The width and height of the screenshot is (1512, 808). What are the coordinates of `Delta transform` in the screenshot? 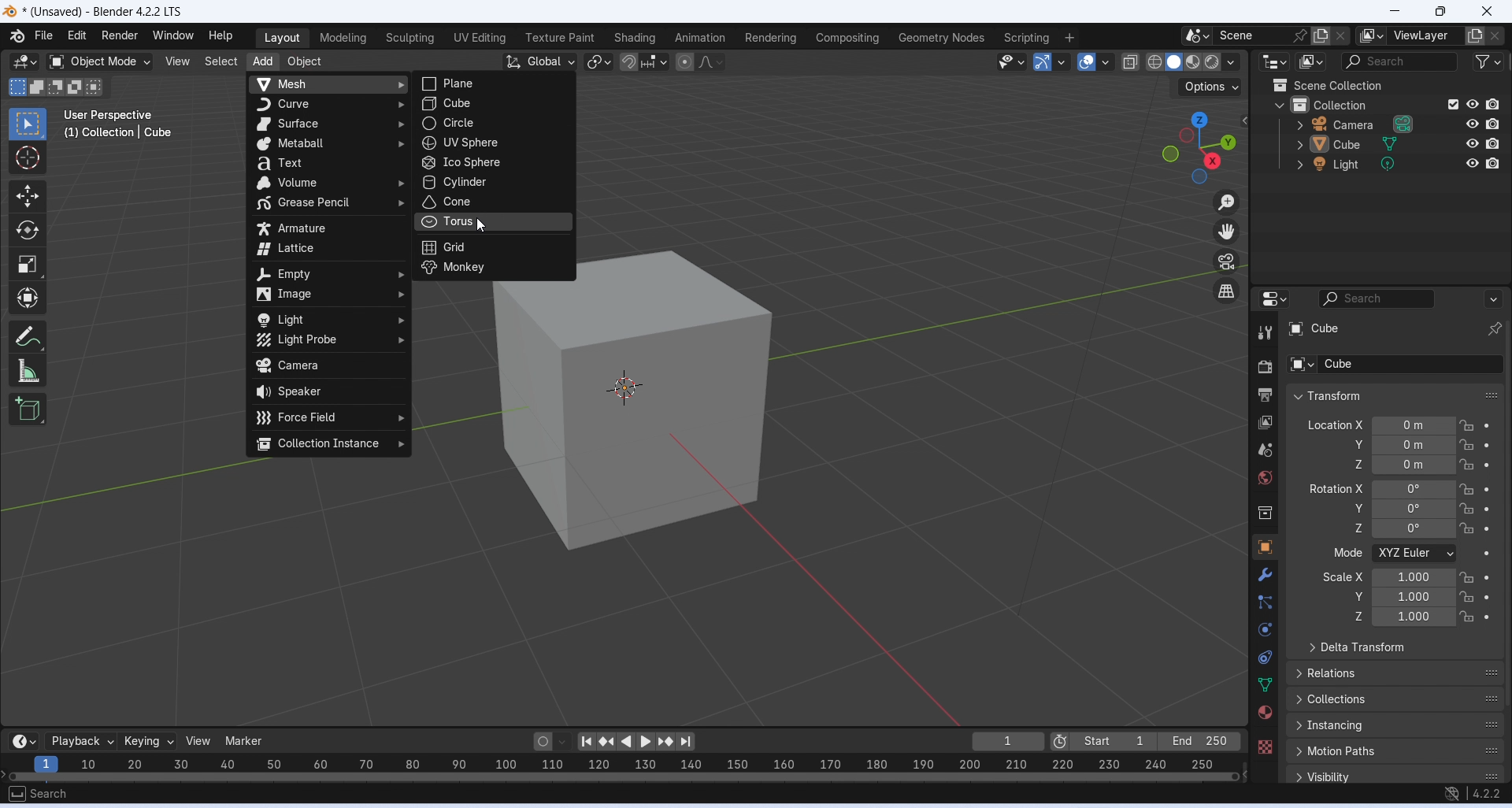 It's located at (1358, 648).